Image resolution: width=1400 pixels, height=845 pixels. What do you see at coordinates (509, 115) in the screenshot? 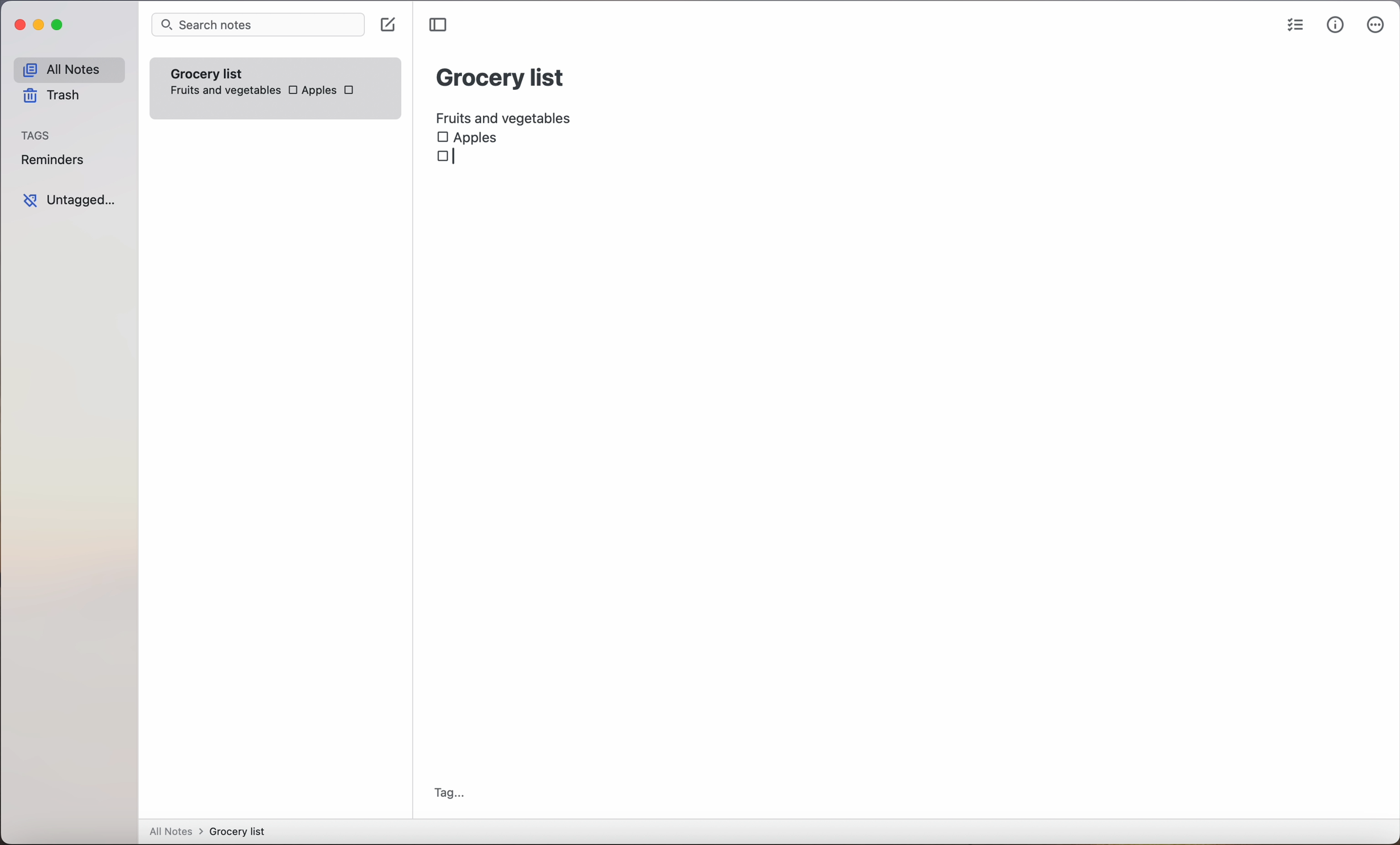
I see `fruits and vegetables` at bounding box center [509, 115].